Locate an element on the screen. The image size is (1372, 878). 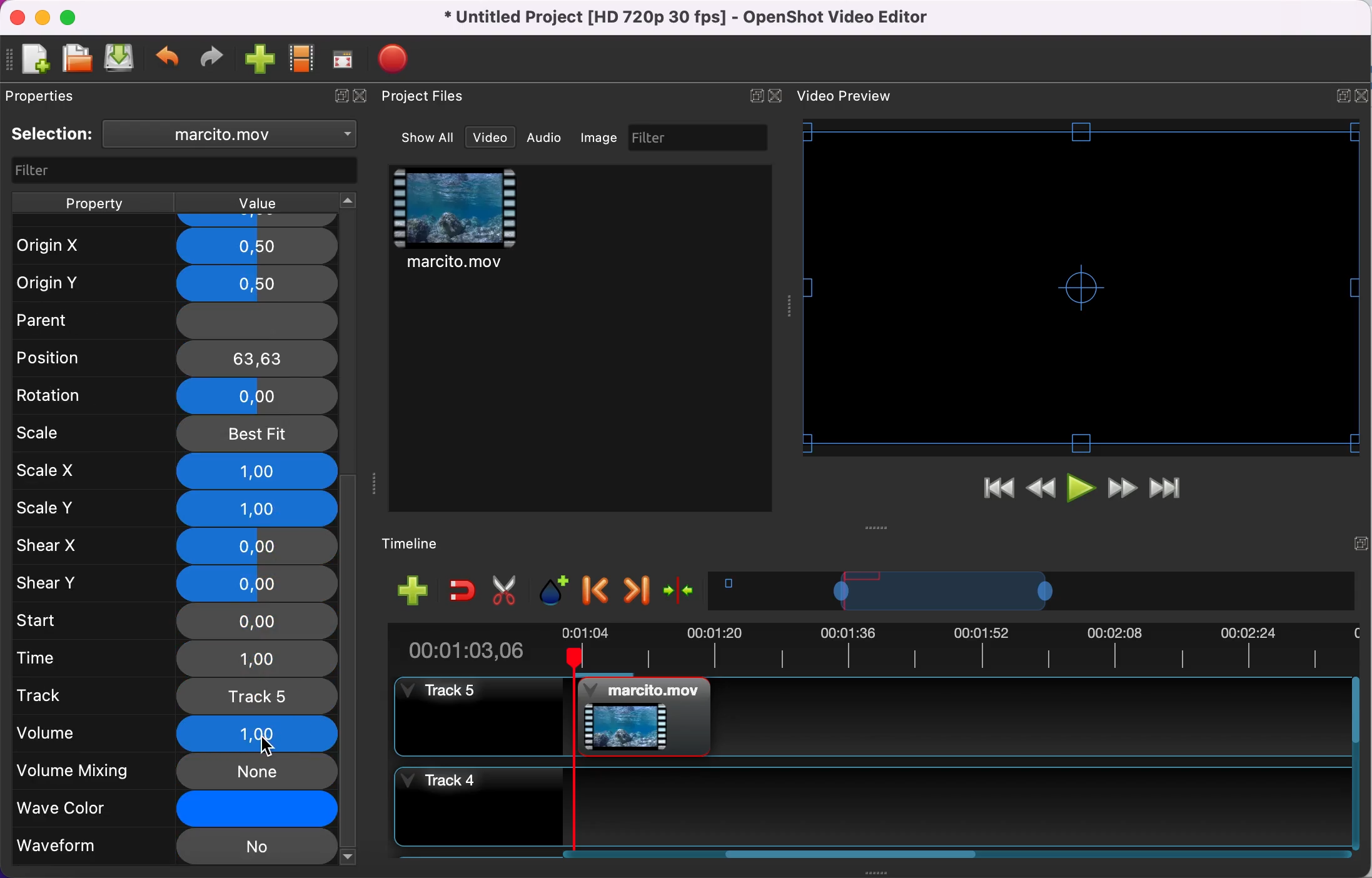
video is located at coordinates (456, 221).